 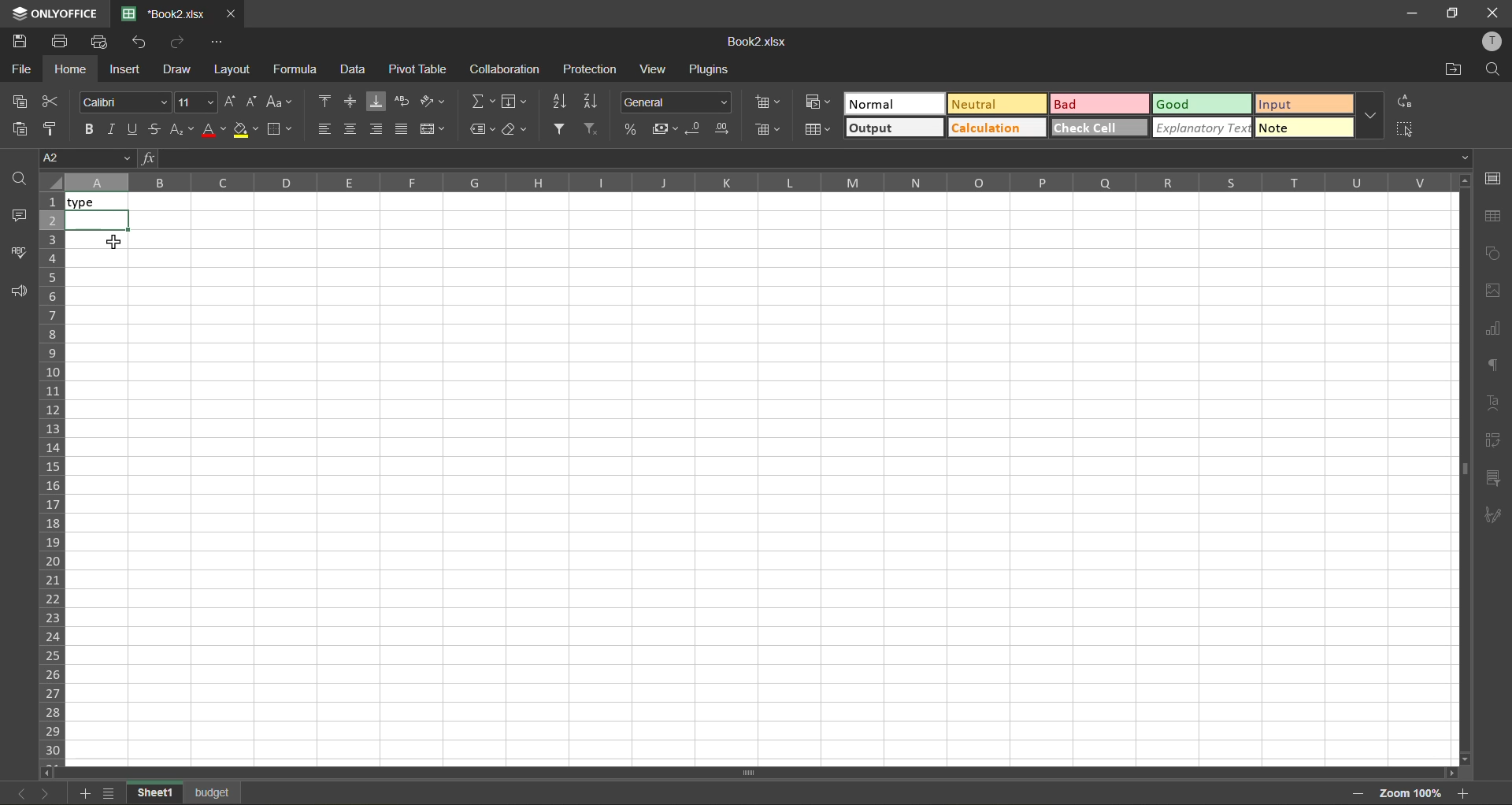 I want to click on table, so click(x=1494, y=217).